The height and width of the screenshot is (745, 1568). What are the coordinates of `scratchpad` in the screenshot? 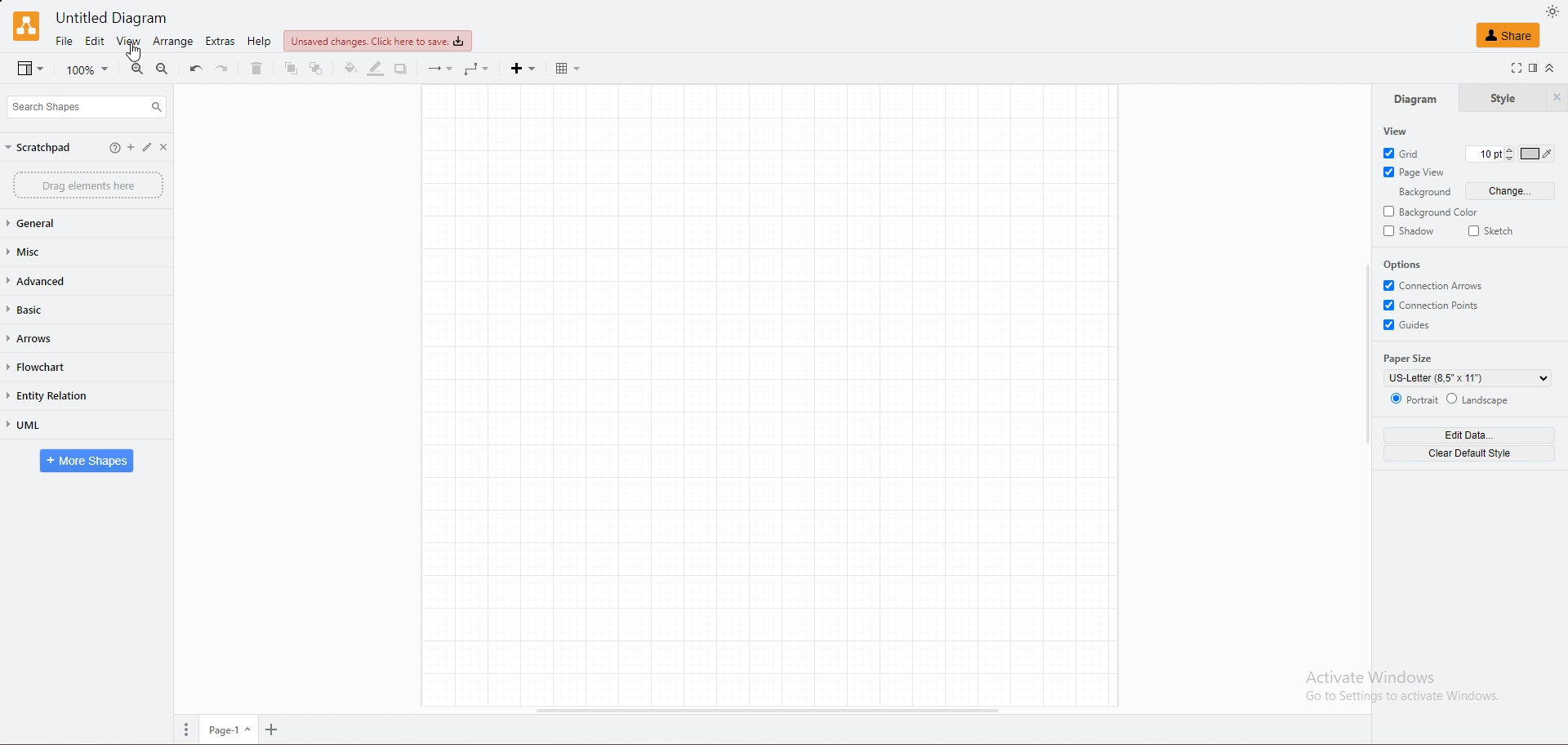 It's located at (42, 149).